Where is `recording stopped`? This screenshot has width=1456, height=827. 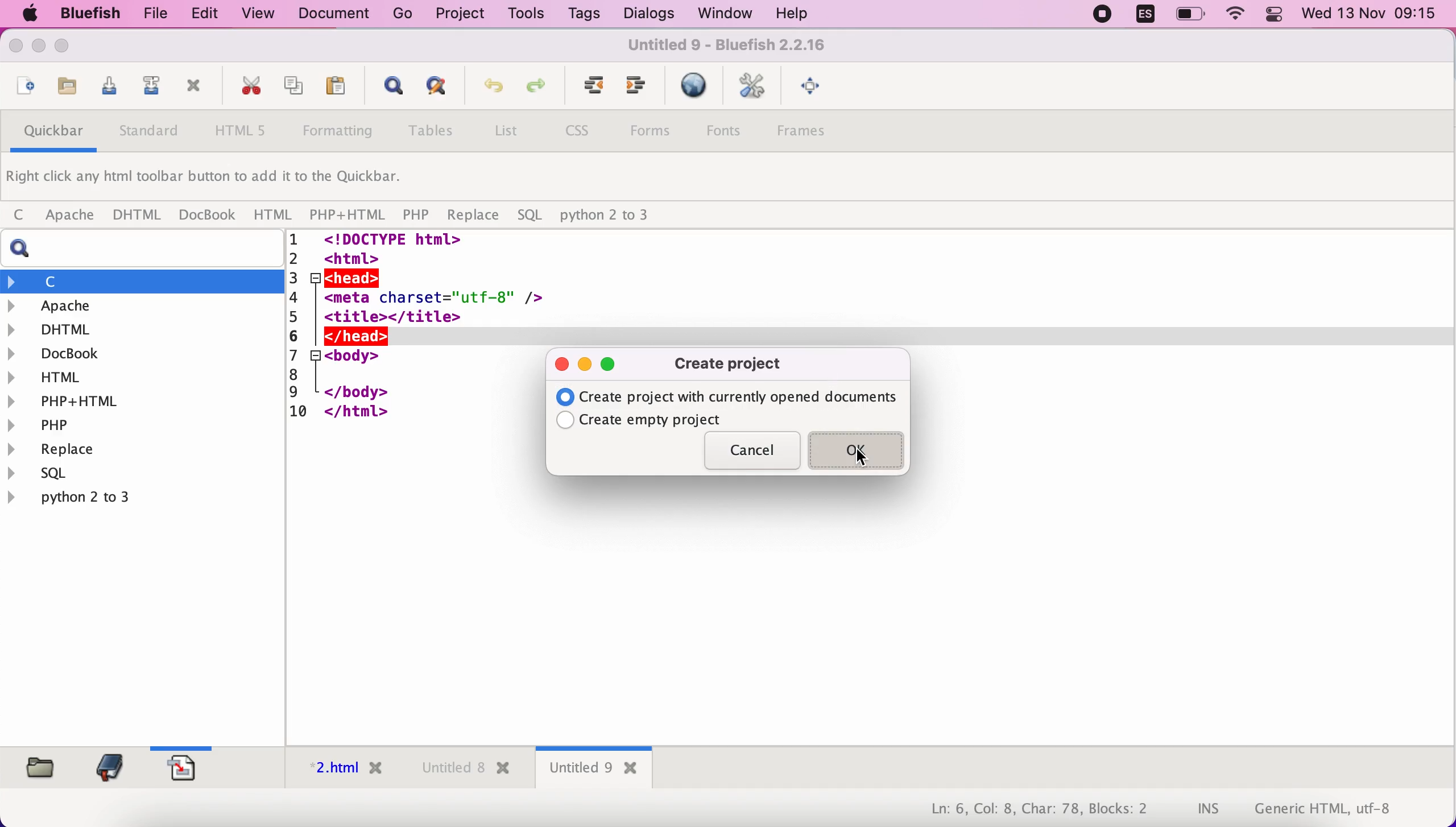 recording stopped is located at coordinates (1099, 15).